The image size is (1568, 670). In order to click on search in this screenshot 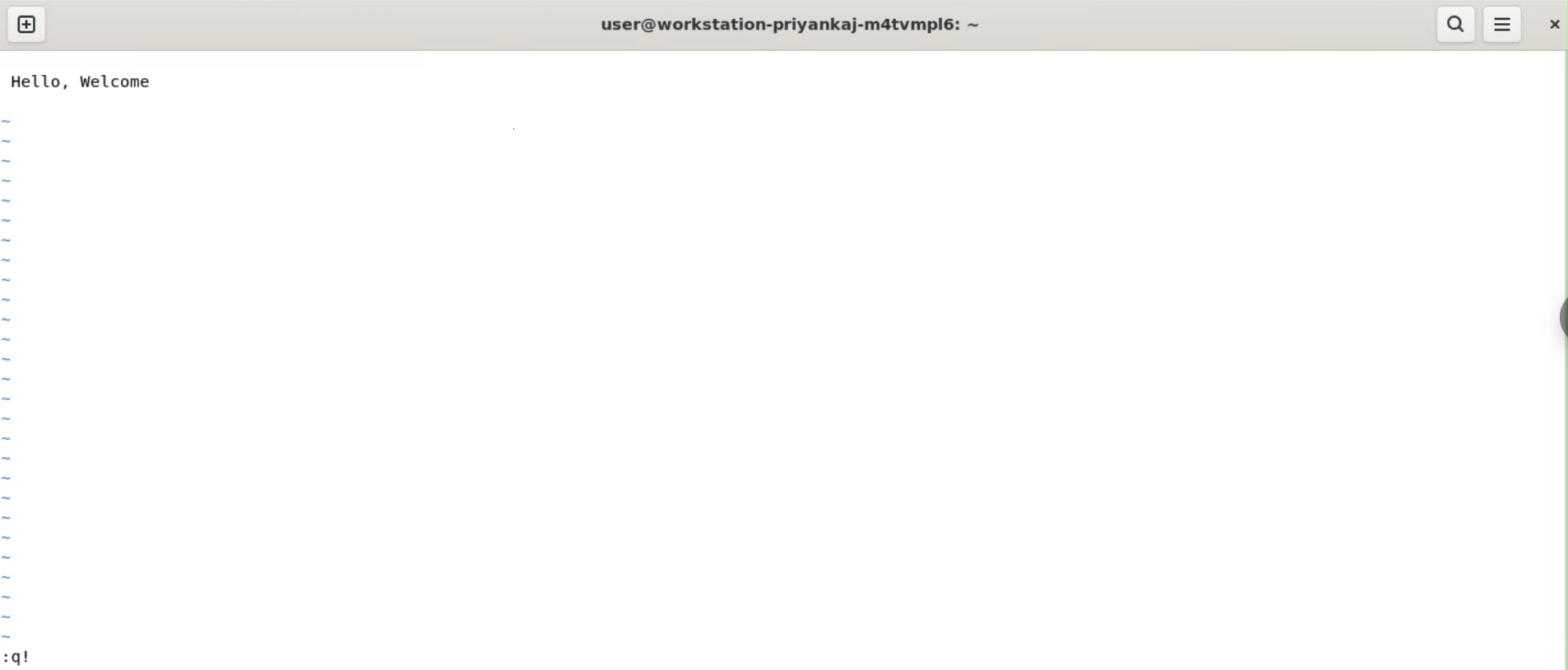, I will do `click(1456, 24)`.